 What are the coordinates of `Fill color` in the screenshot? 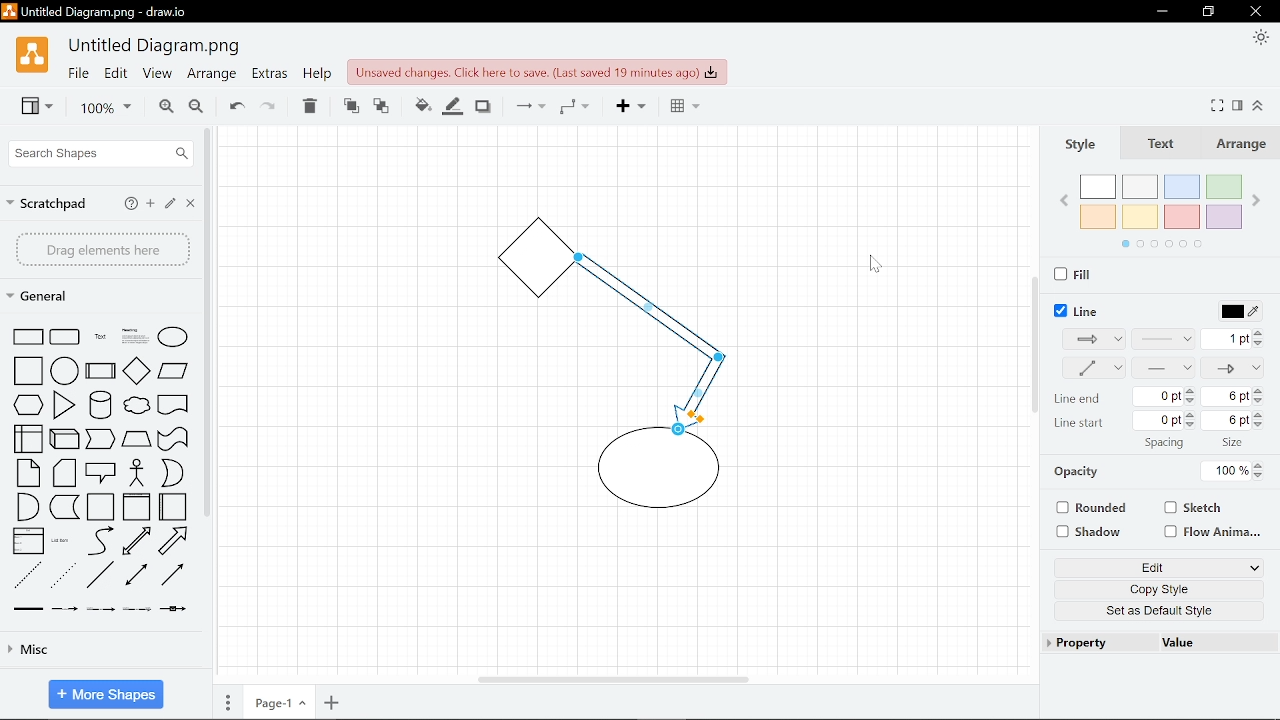 It's located at (418, 104).